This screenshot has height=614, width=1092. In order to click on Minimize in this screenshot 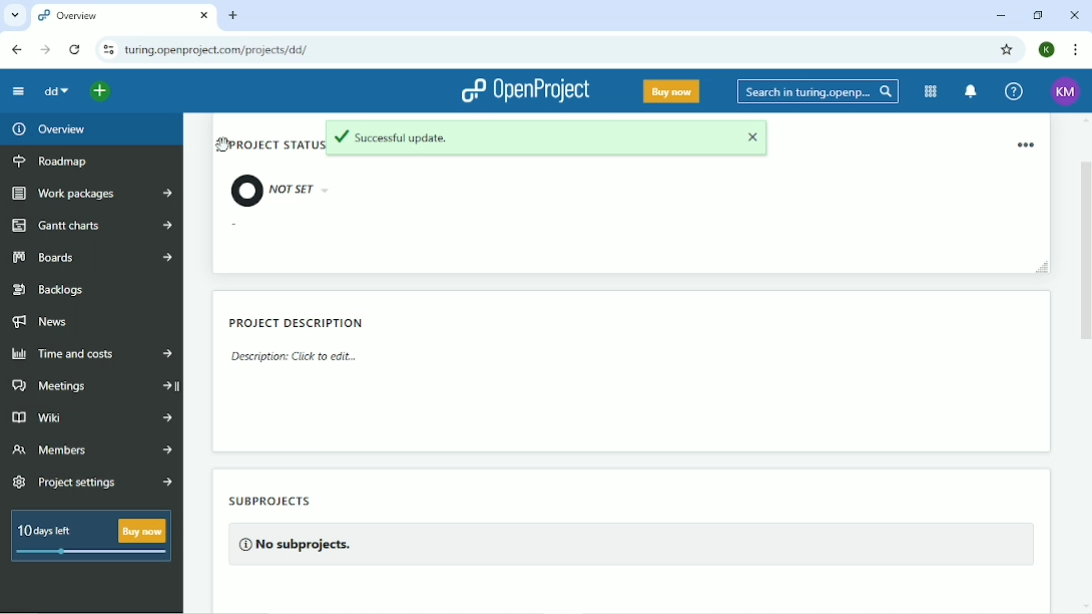, I will do `click(1002, 15)`.